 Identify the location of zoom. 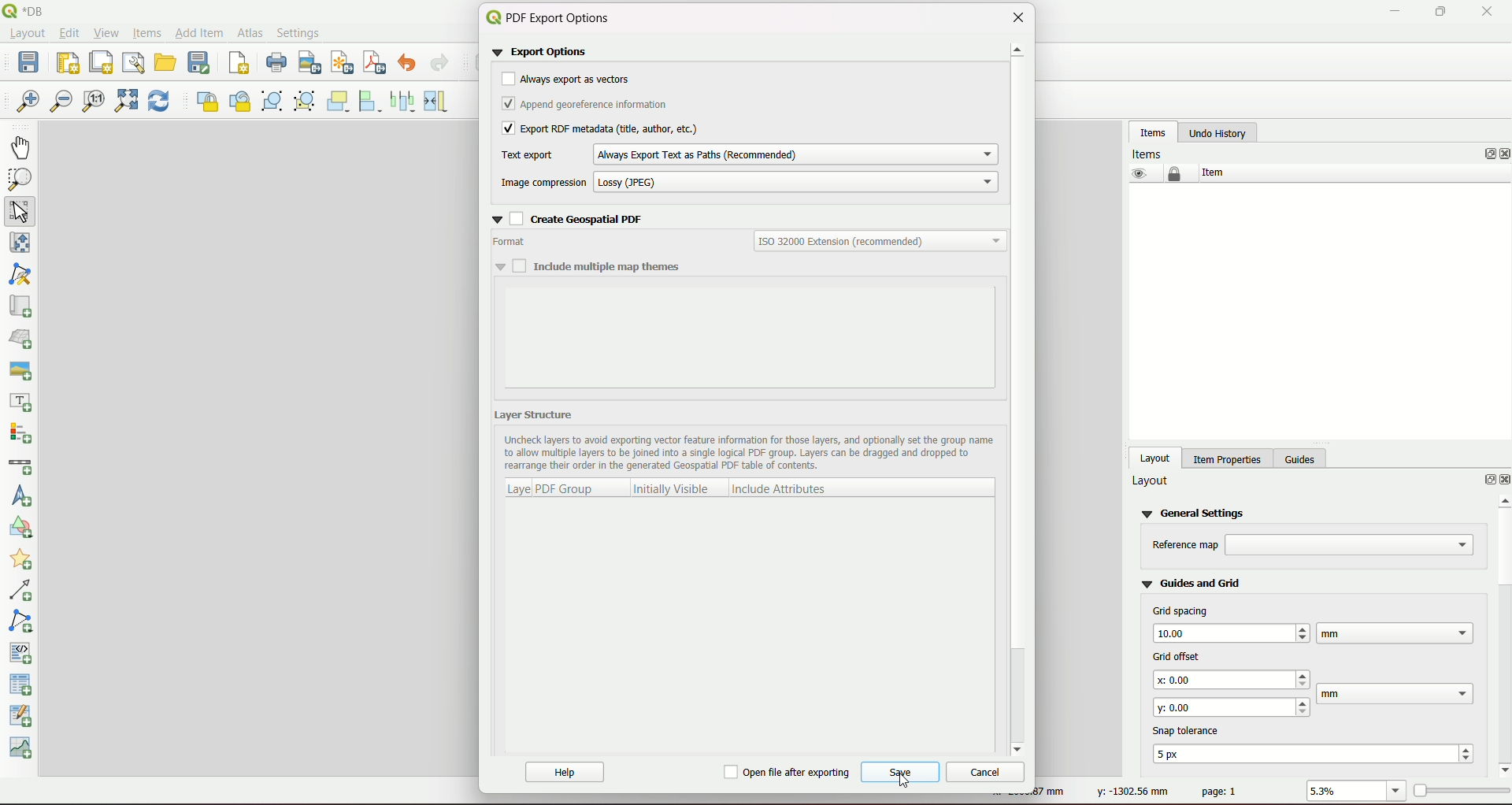
(20, 180).